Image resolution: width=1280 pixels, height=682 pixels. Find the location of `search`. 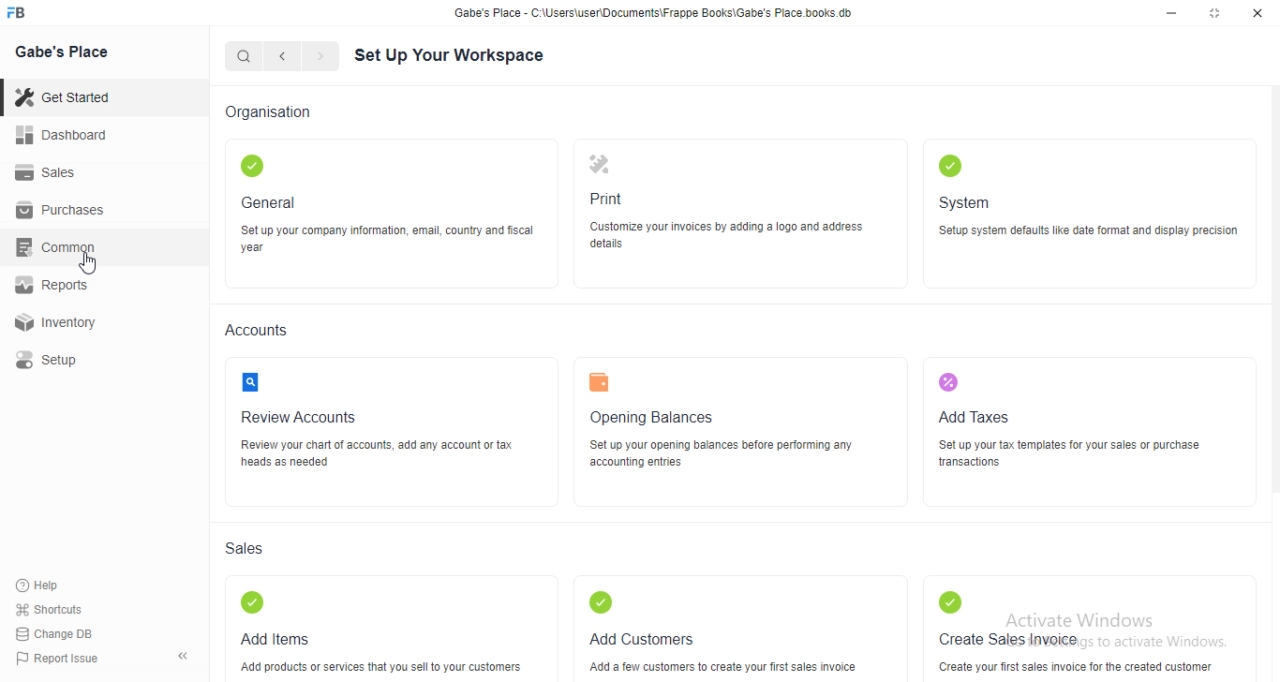

search is located at coordinates (245, 57).